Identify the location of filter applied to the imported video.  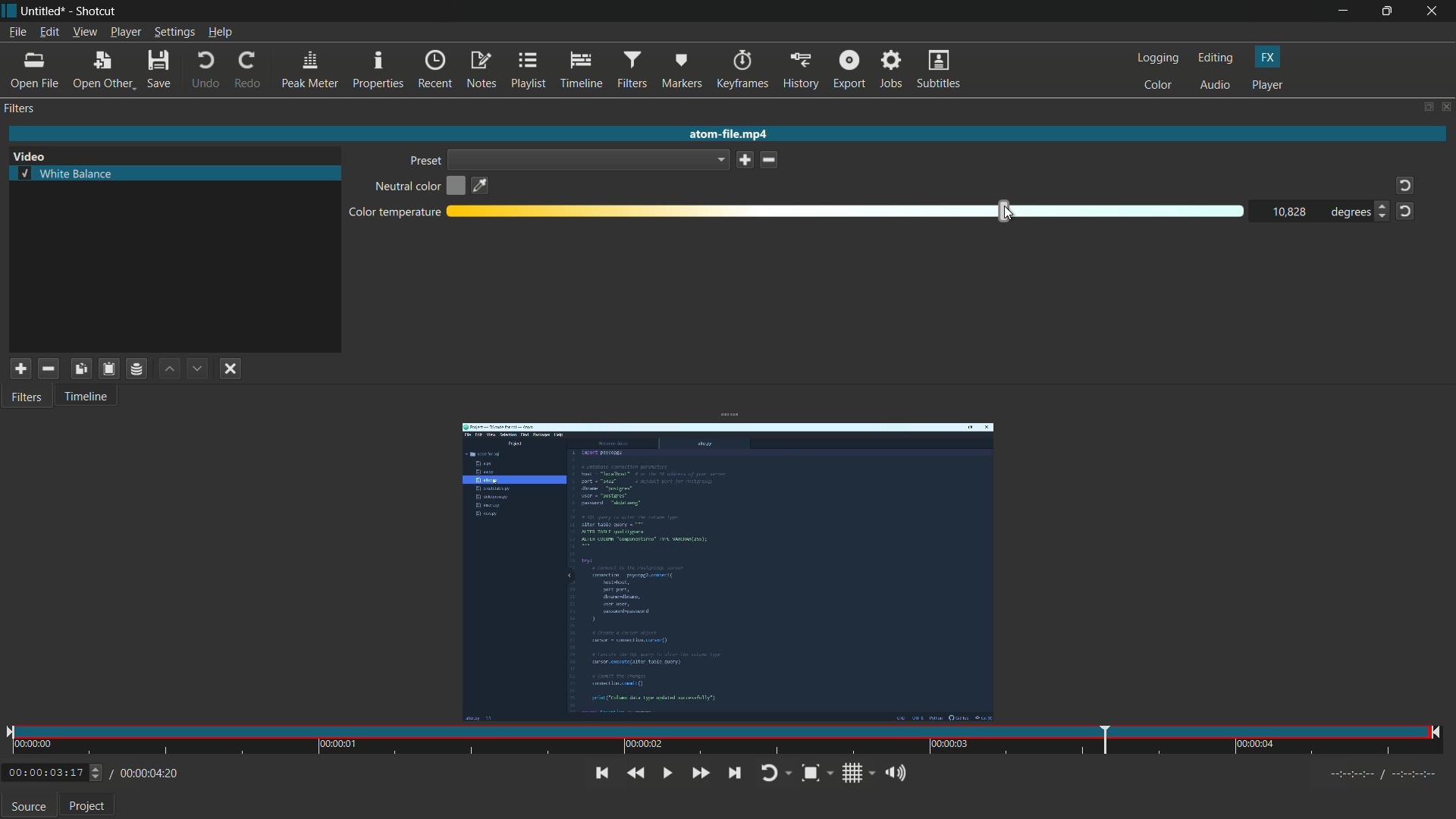
(727, 575).